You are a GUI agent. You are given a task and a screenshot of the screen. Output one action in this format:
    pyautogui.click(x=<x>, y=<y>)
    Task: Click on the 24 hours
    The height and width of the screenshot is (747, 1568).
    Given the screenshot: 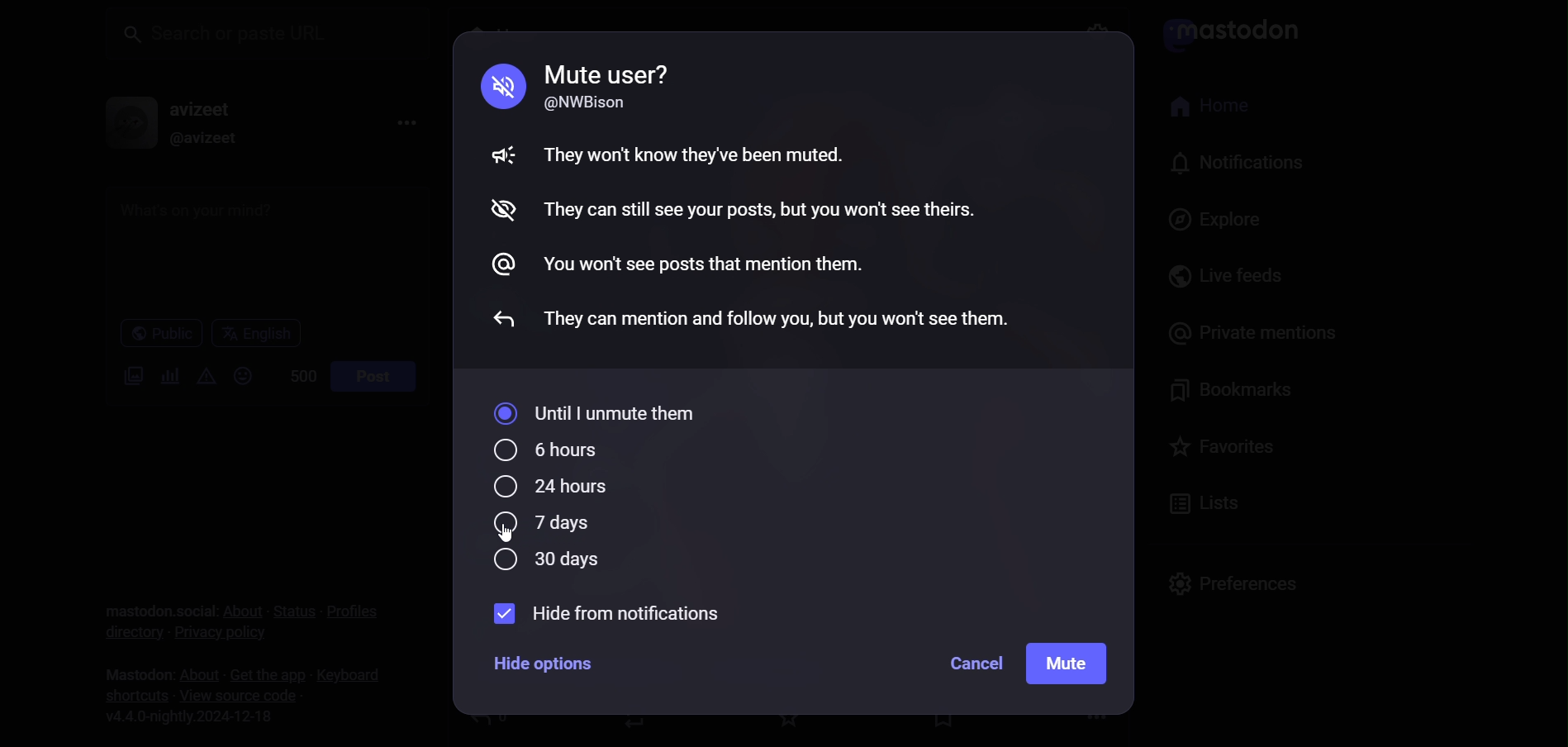 What is the action you would take?
    pyautogui.click(x=548, y=488)
    